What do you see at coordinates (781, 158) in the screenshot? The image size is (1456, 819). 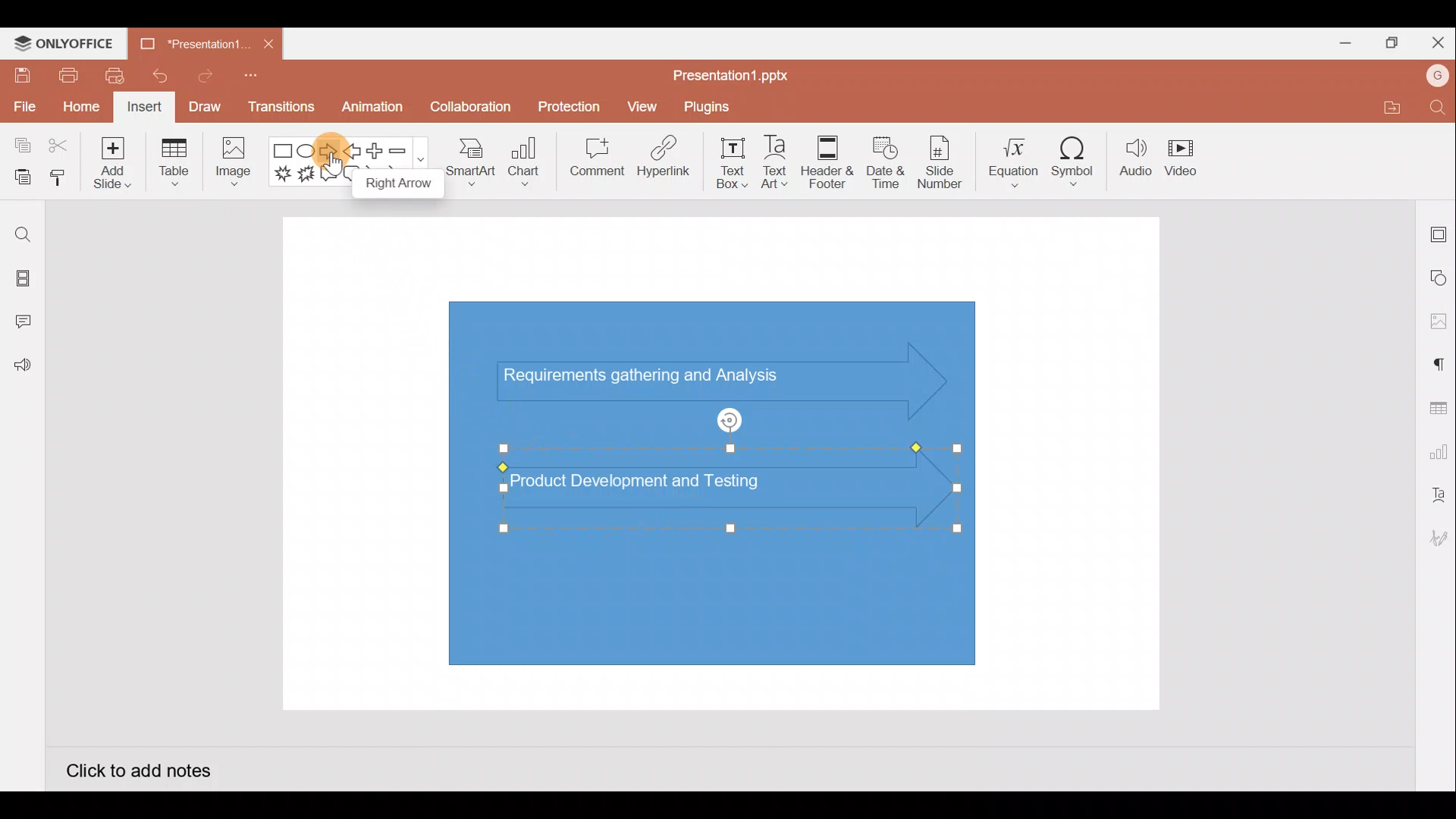 I see `Text Art` at bounding box center [781, 158].